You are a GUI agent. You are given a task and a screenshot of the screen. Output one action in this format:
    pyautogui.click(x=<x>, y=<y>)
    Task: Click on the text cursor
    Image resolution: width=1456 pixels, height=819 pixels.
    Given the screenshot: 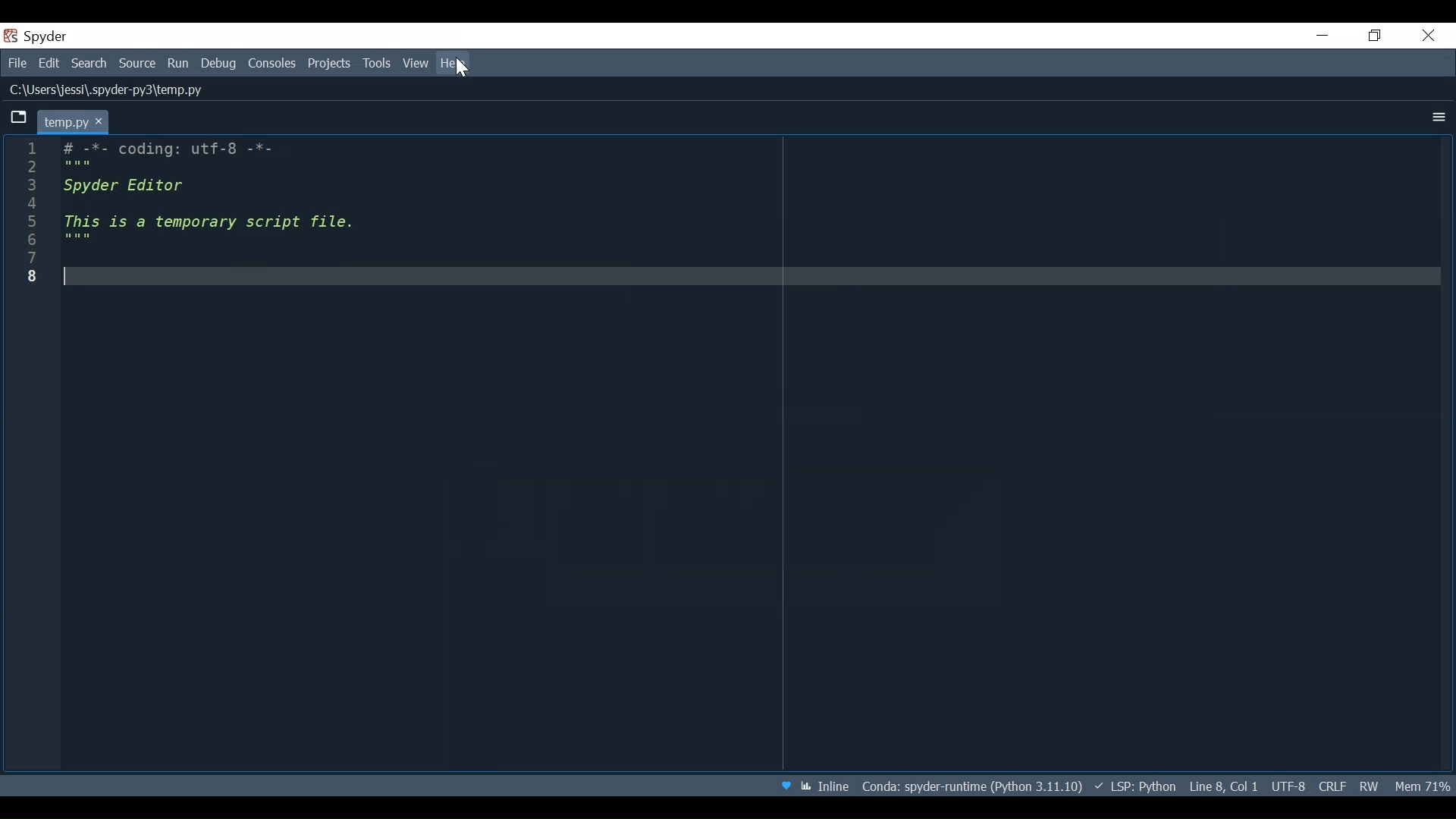 What is the action you would take?
    pyautogui.click(x=74, y=275)
    